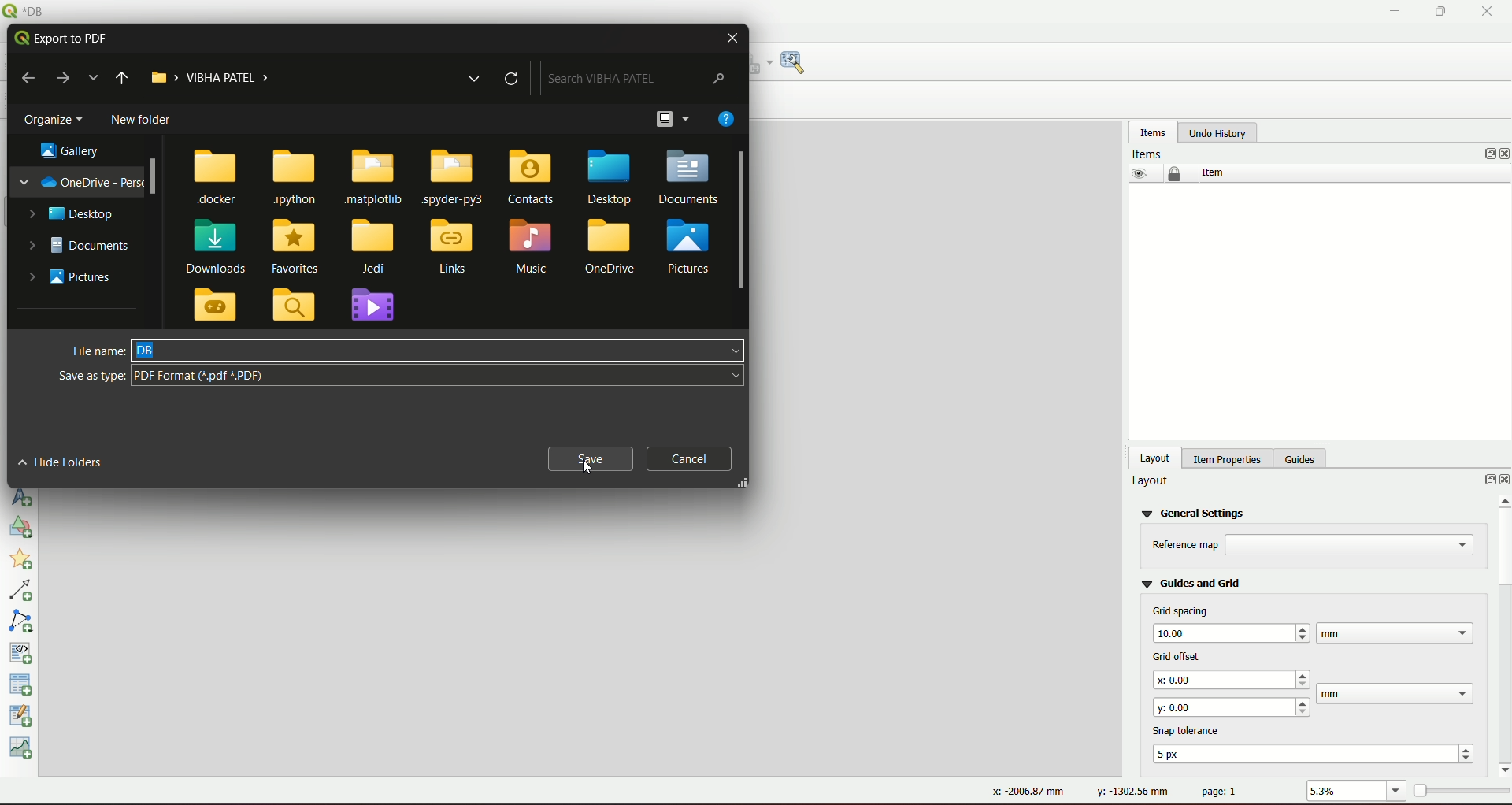 The image size is (1512, 805). What do you see at coordinates (1503, 480) in the screenshot?
I see `close` at bounding box center [1503, 480].